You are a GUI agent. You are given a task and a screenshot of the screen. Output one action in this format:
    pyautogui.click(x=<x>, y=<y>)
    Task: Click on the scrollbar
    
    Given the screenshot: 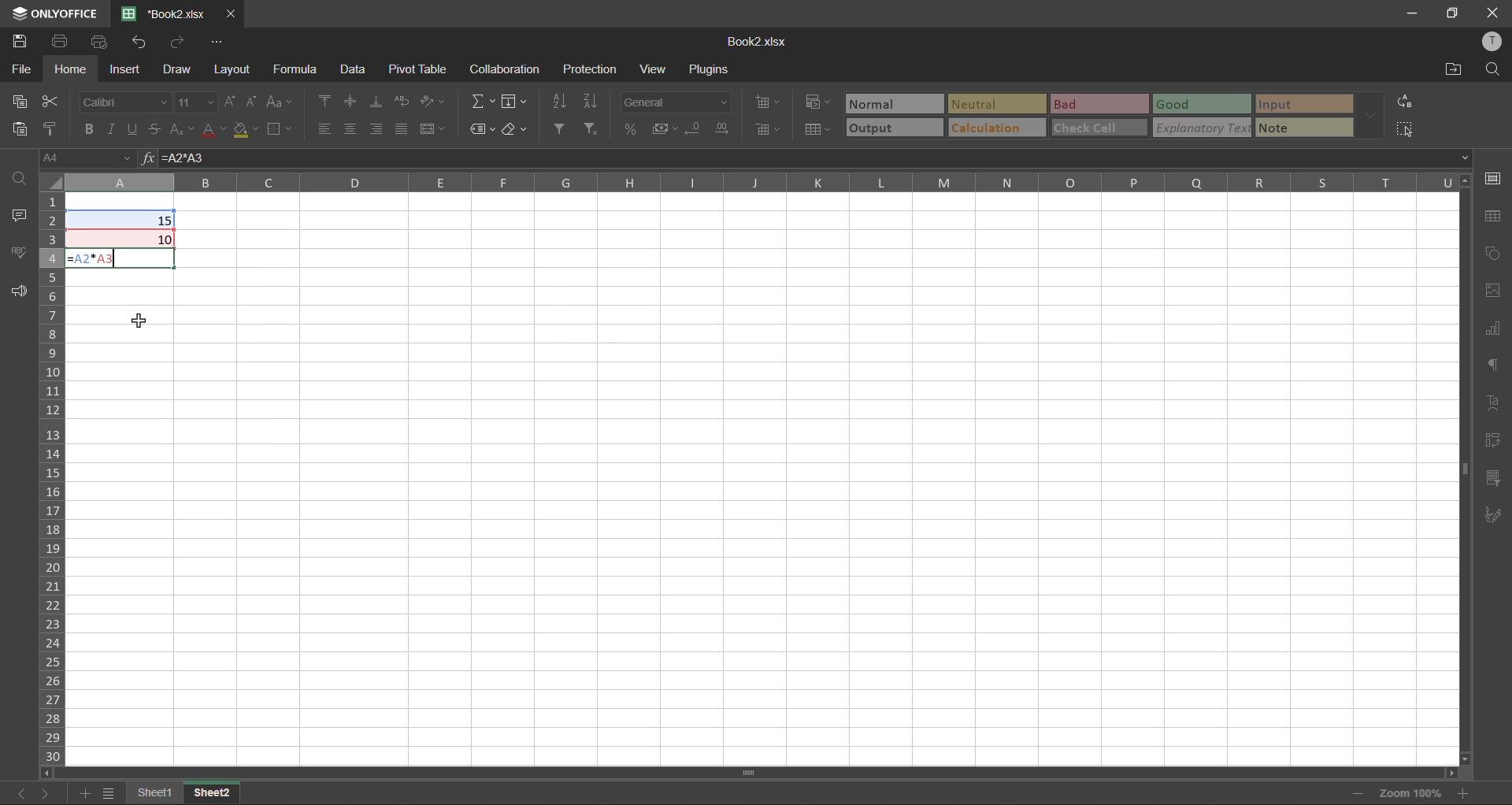 What is the action you would take?
    pyautogui.click(x=1464, y=466)
    